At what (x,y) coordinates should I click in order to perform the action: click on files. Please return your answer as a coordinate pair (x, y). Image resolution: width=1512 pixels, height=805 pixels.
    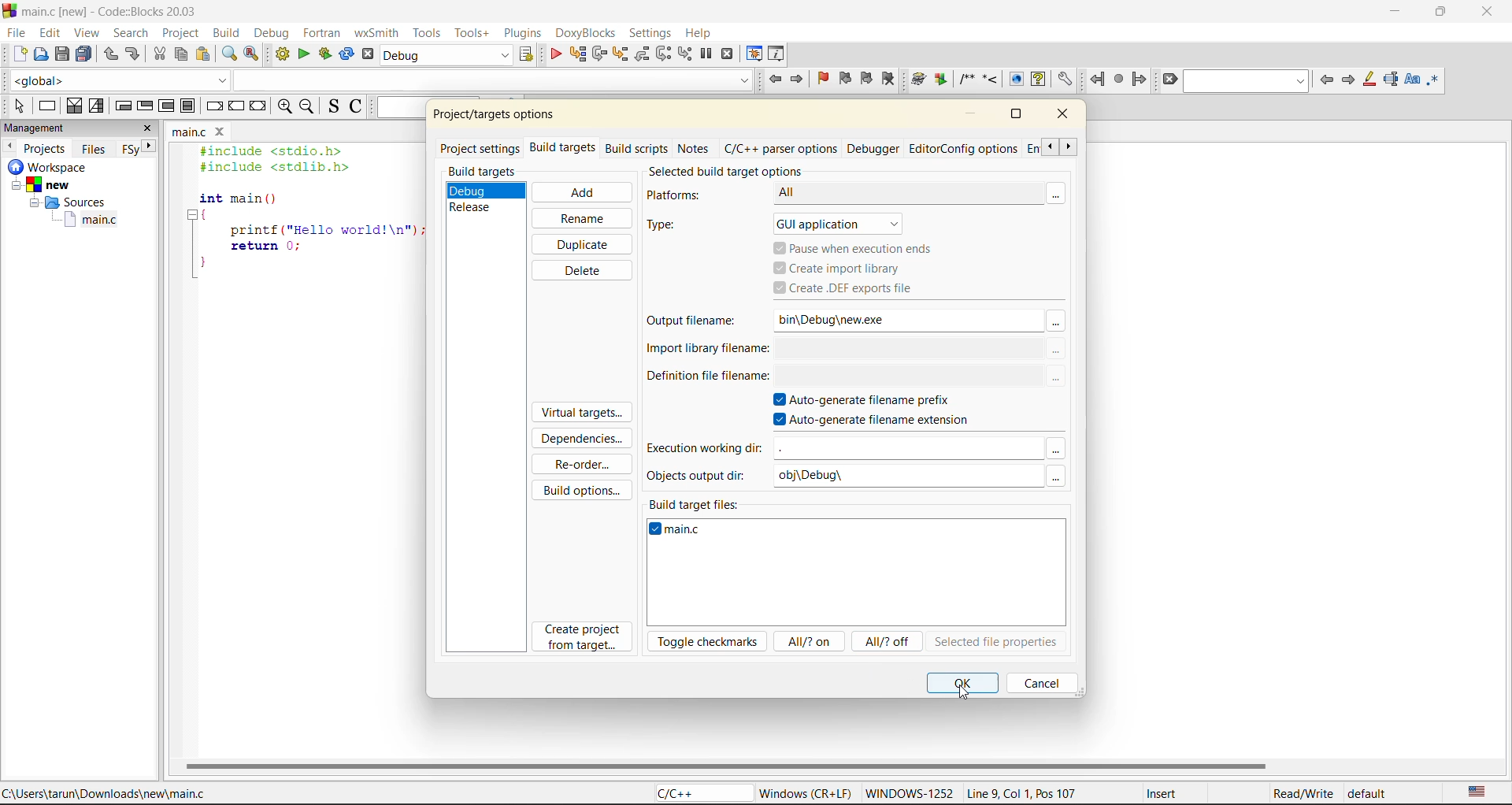
    Looking at the image, I should click on (94, 148).